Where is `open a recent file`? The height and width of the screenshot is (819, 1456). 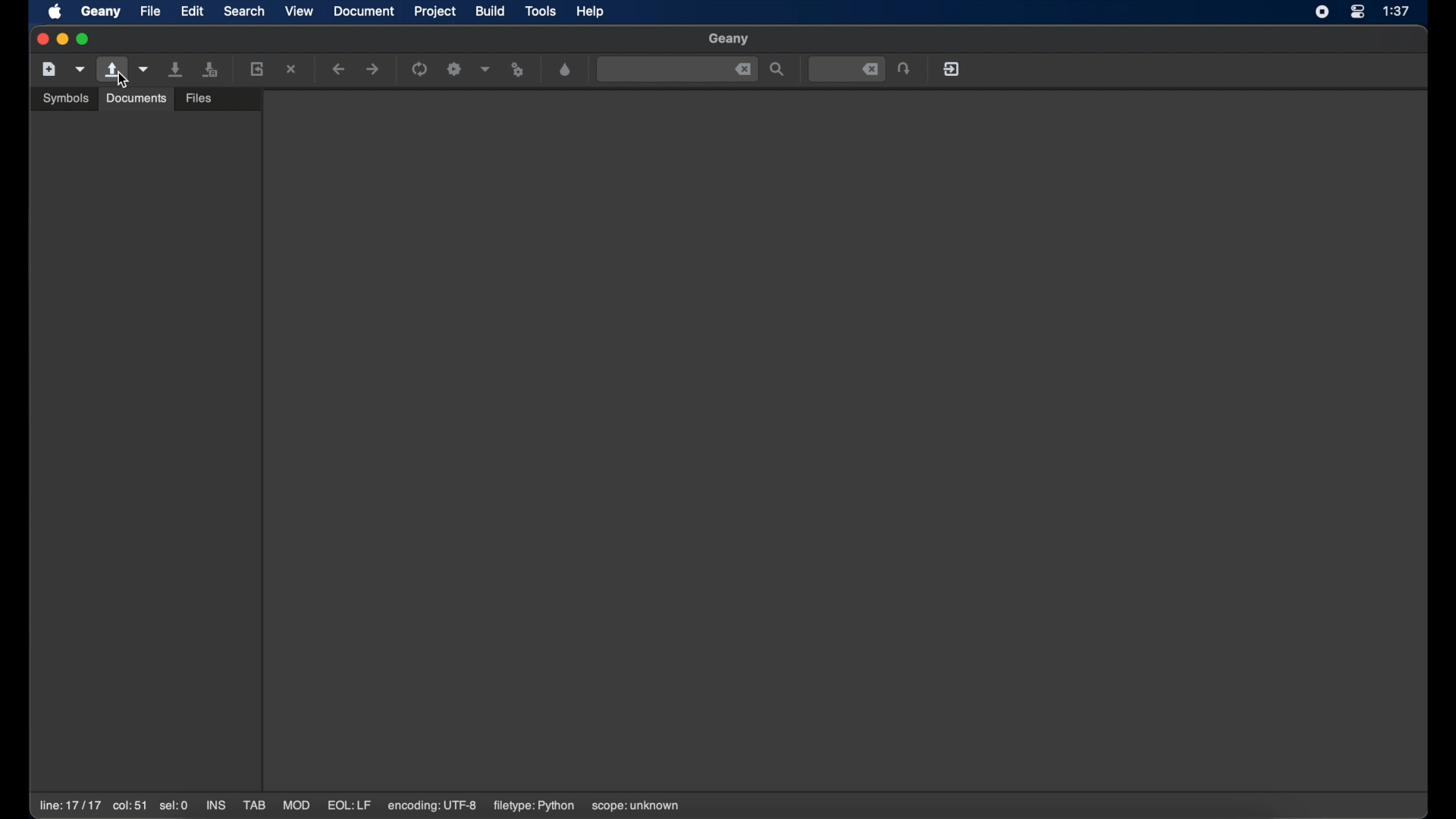 open a recent file is located at coordinates (144, 69).